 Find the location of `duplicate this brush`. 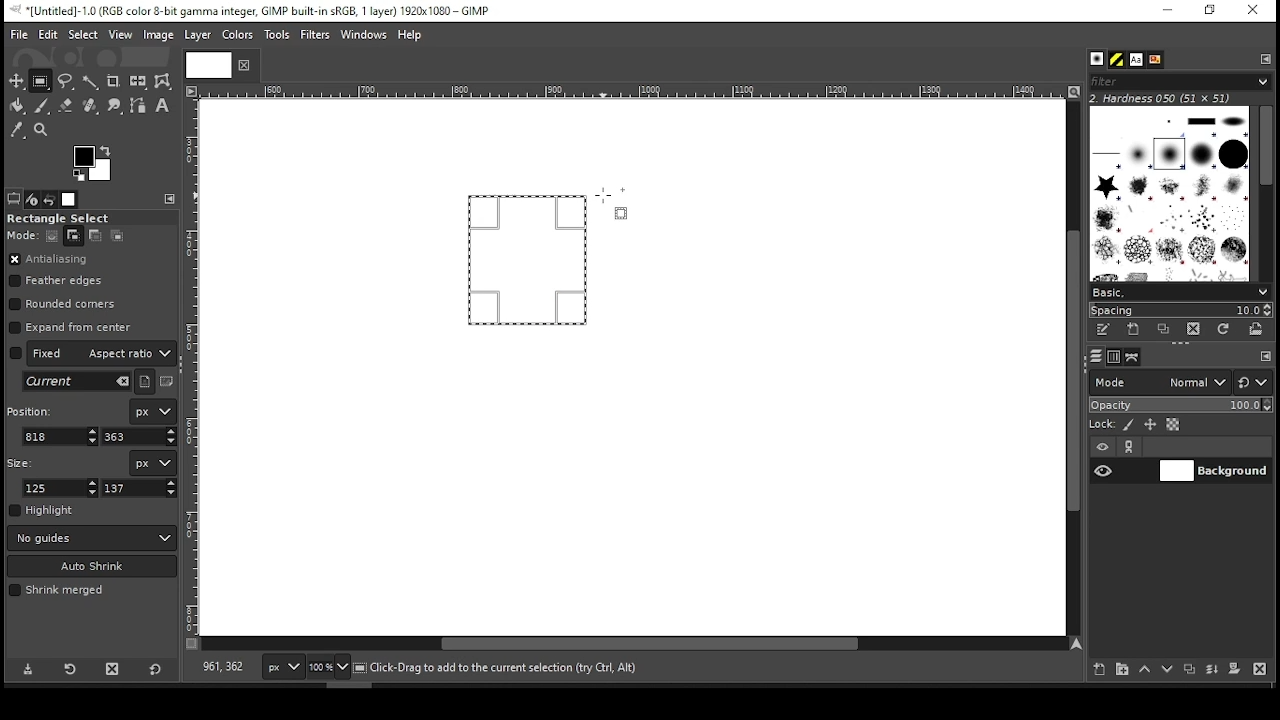

duplicate this brush is located at coordinates (1169, 329).